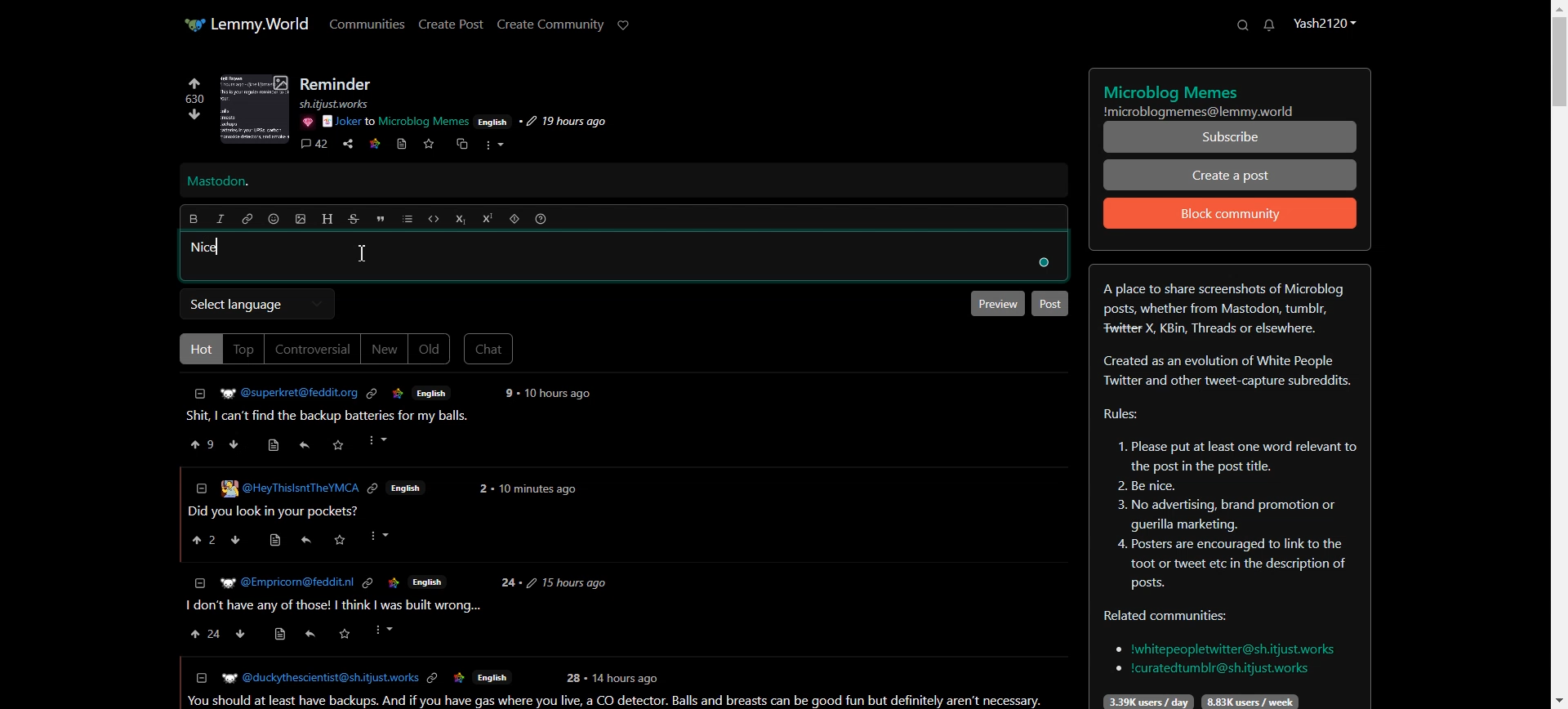 The image size is (1568, 709). Describe the element at coordinates (283, 390) in the screenshot. I see `superkret@feddit.org` at that location.